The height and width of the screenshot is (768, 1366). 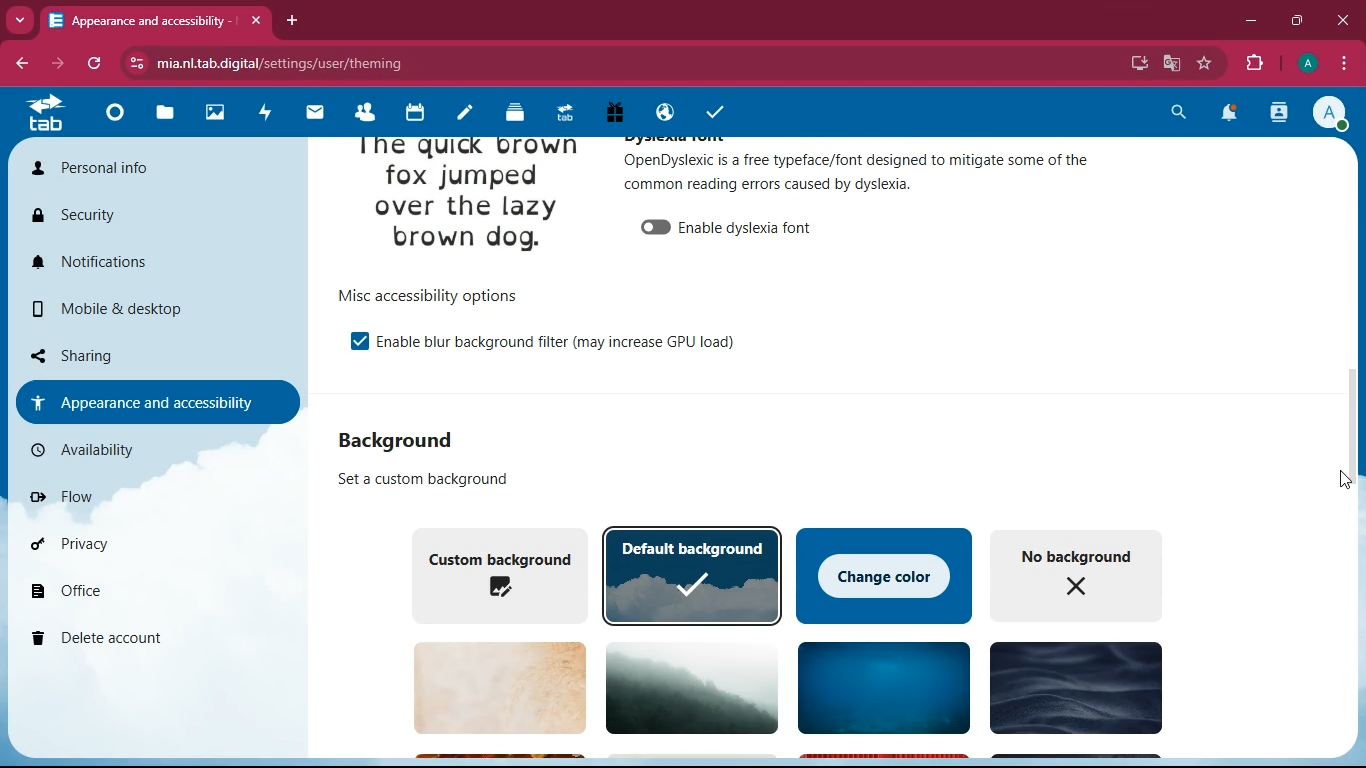 What do you see at coordinates (1230, 114) in the screenshot?
I see `notifications` at bounding box center [1230, 114].